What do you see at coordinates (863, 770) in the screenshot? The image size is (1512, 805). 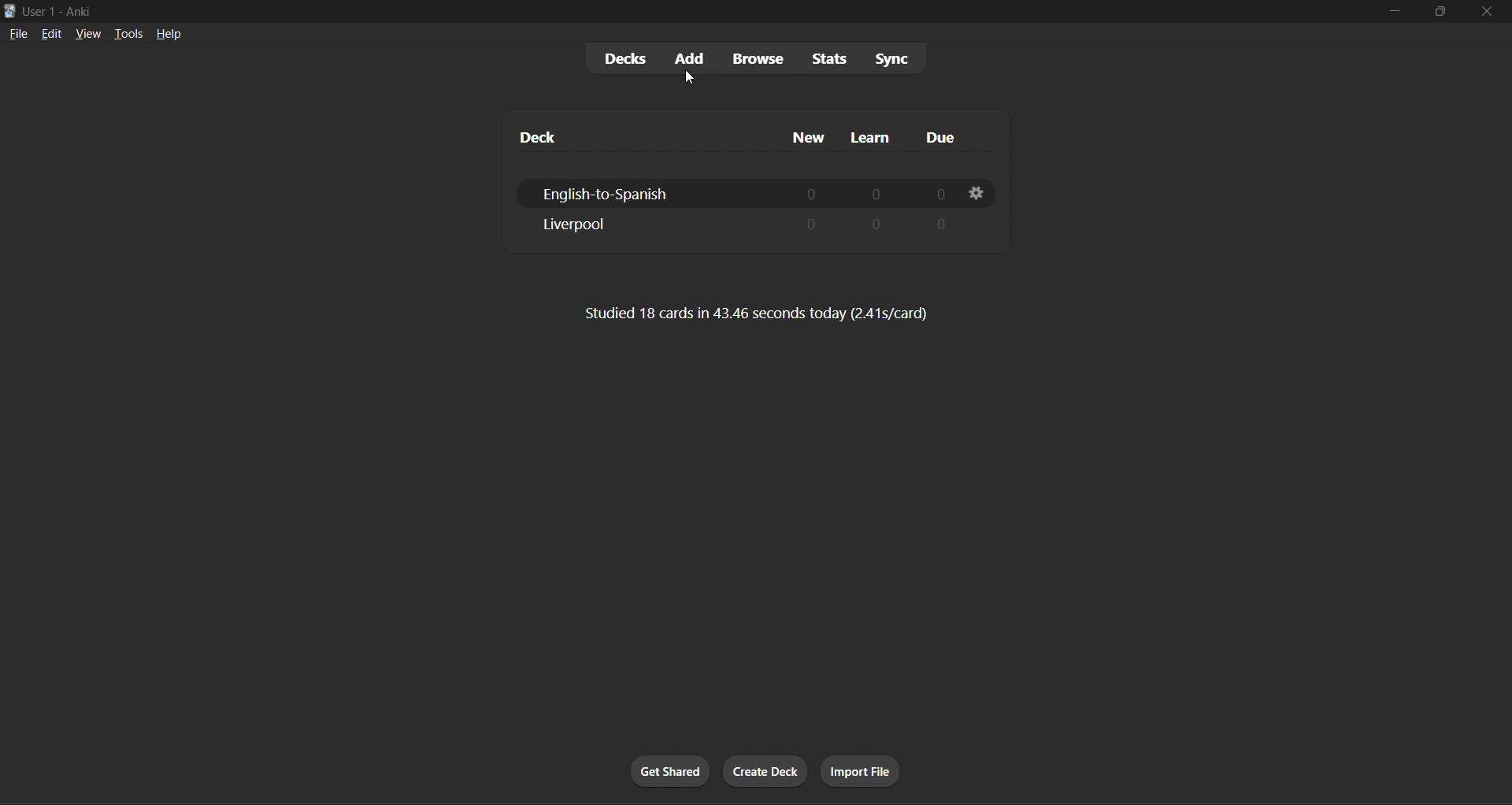 I see `import file` at bounding box center [863, 770].